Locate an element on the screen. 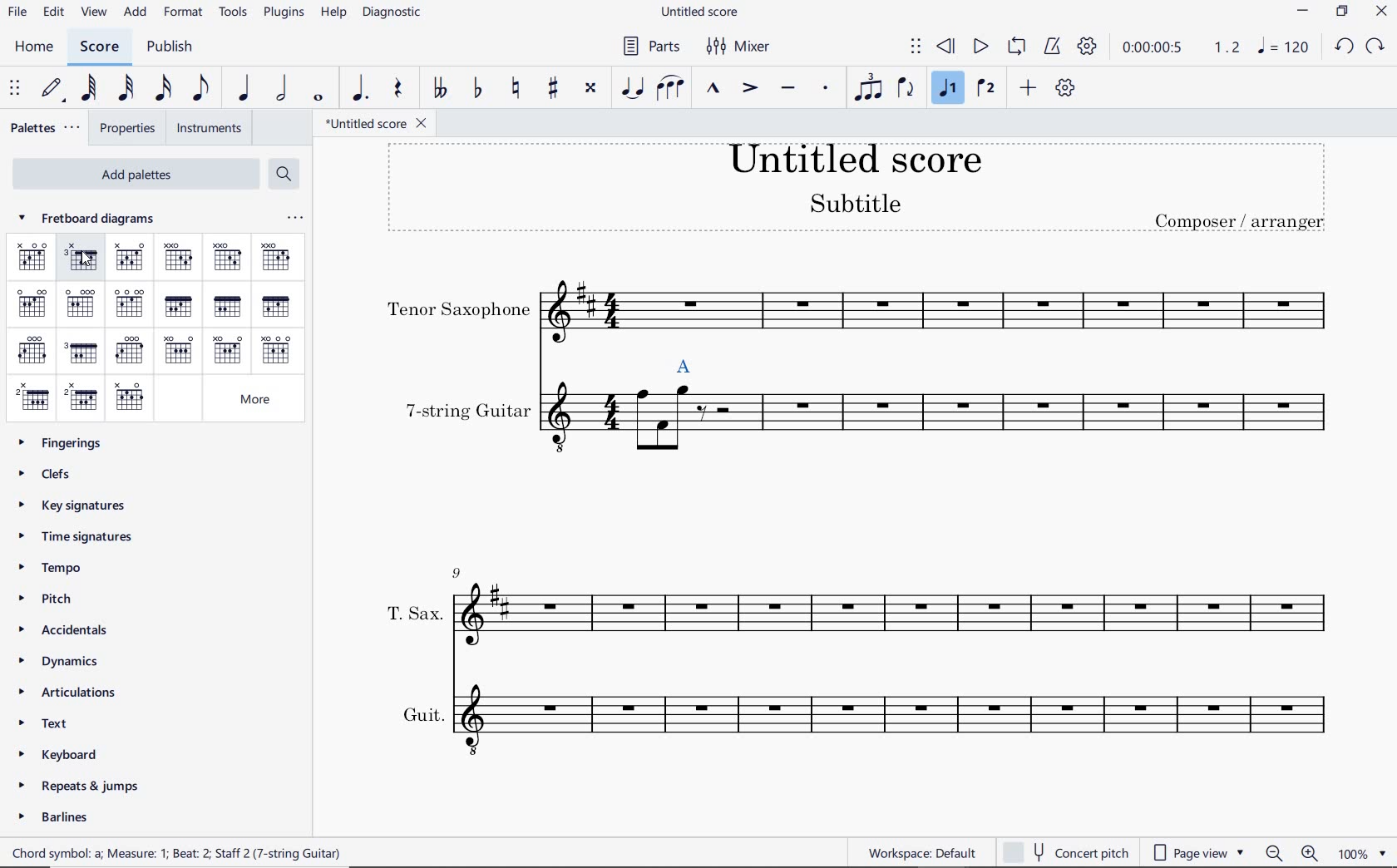 The image size is (1397, 868). DYNAMICS is located at coordinates (73, 660).